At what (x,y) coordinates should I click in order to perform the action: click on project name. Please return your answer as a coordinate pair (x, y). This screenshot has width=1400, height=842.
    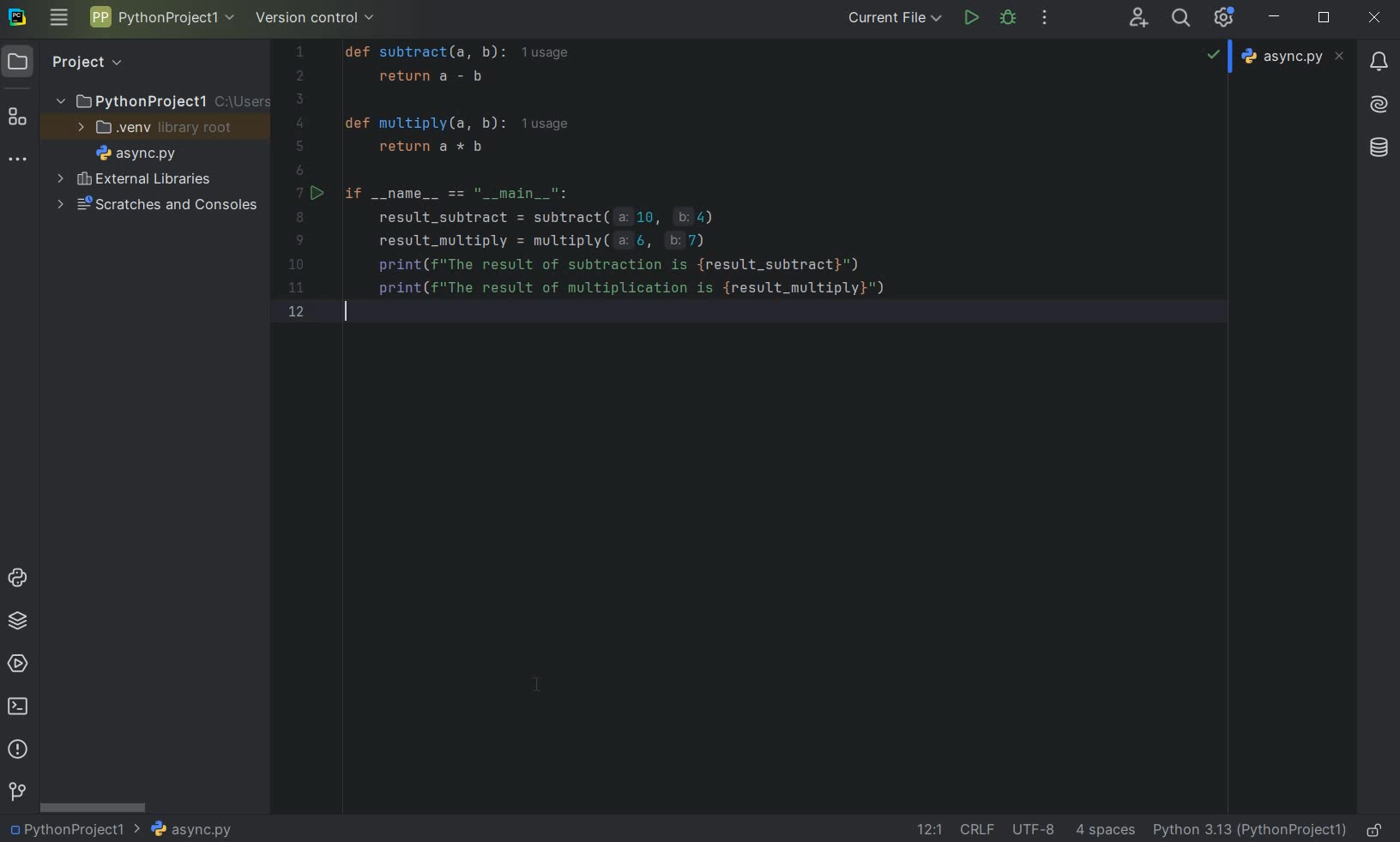
    Looking at the image, I should click on (161, 17).